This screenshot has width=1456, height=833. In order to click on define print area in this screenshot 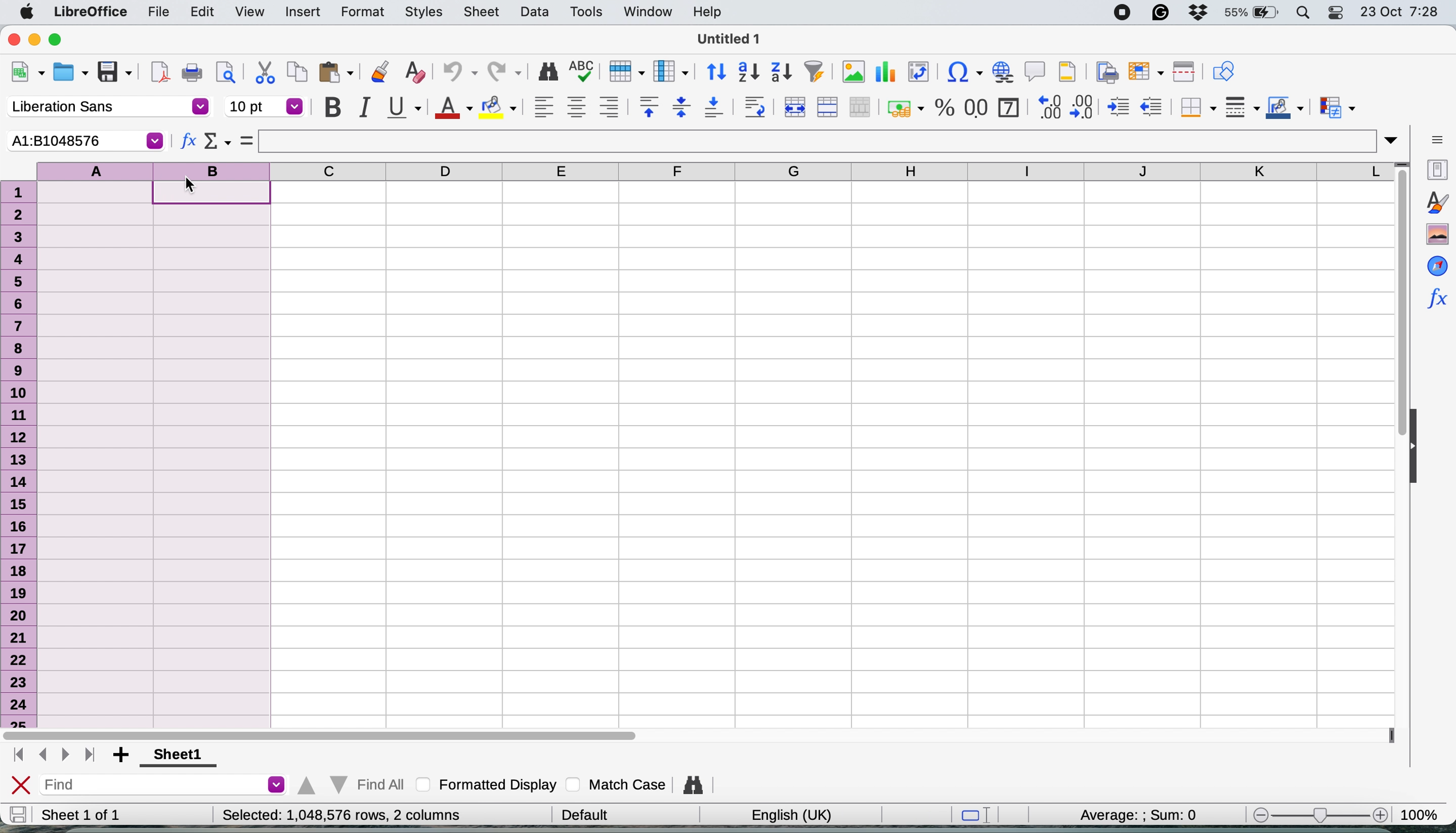, I will do `click(1105, 72)`.